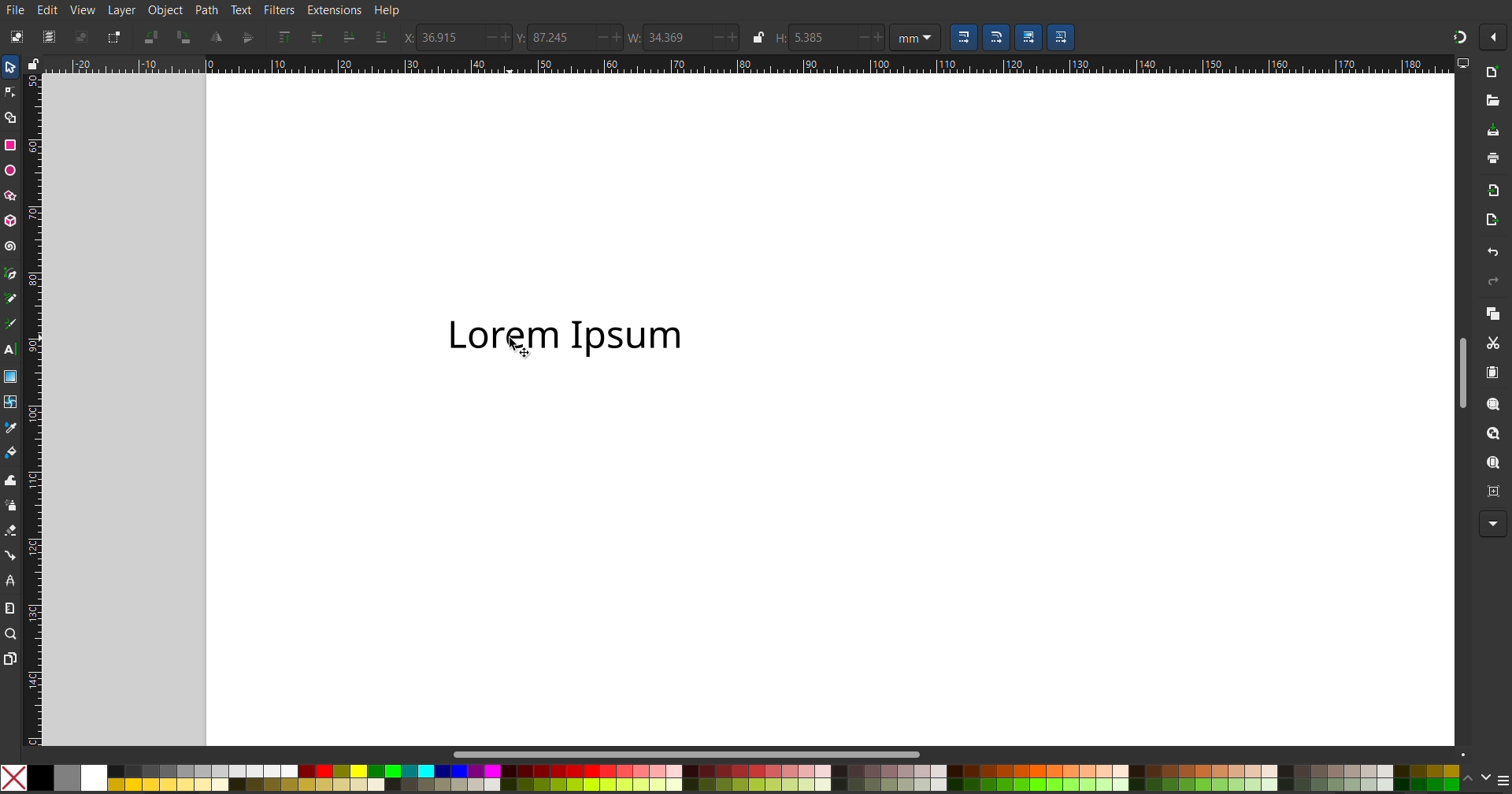  Describe the element at coordinates (1494, 315) in the screenshot. I see `Copy` at that location.